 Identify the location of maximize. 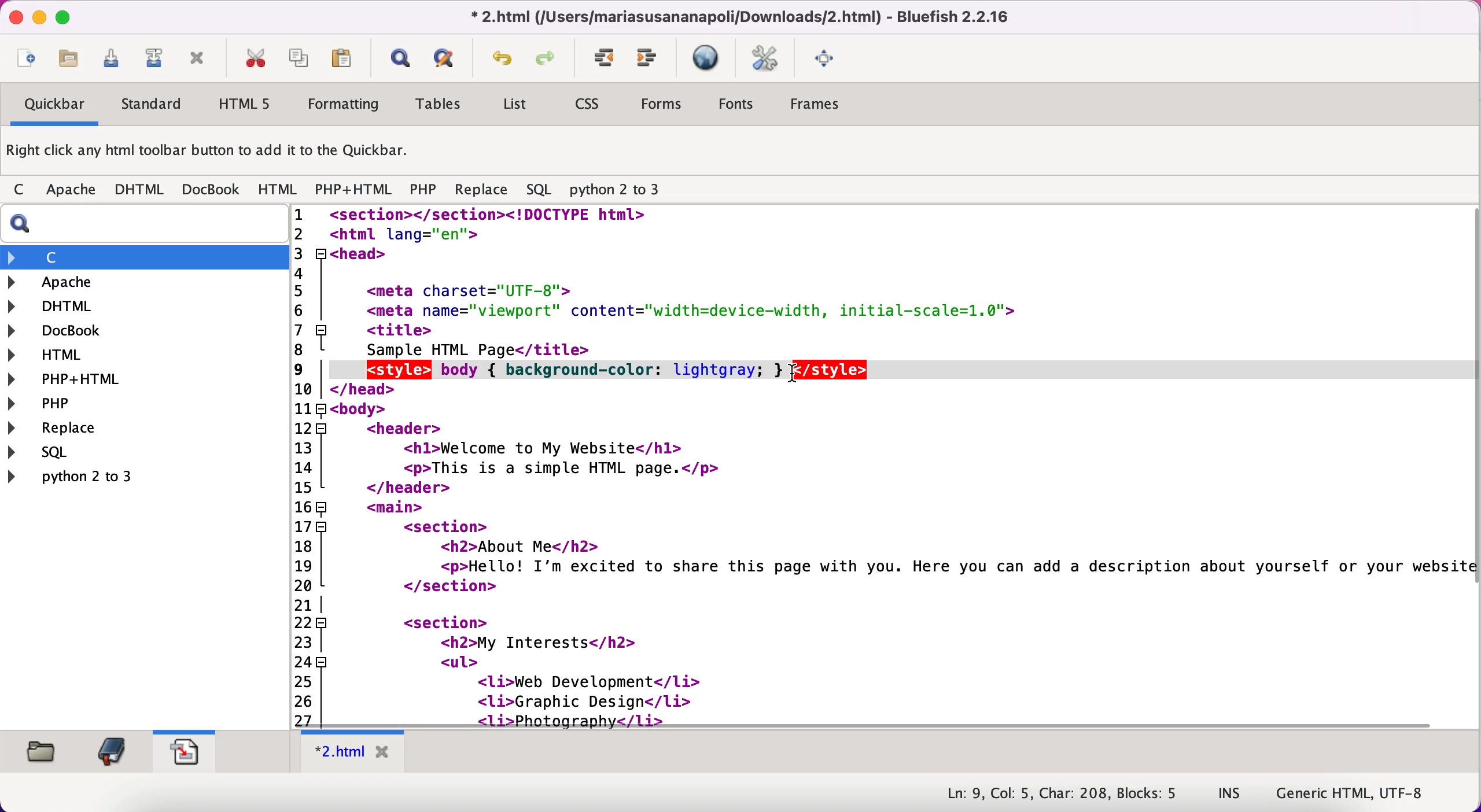
(63, 16).